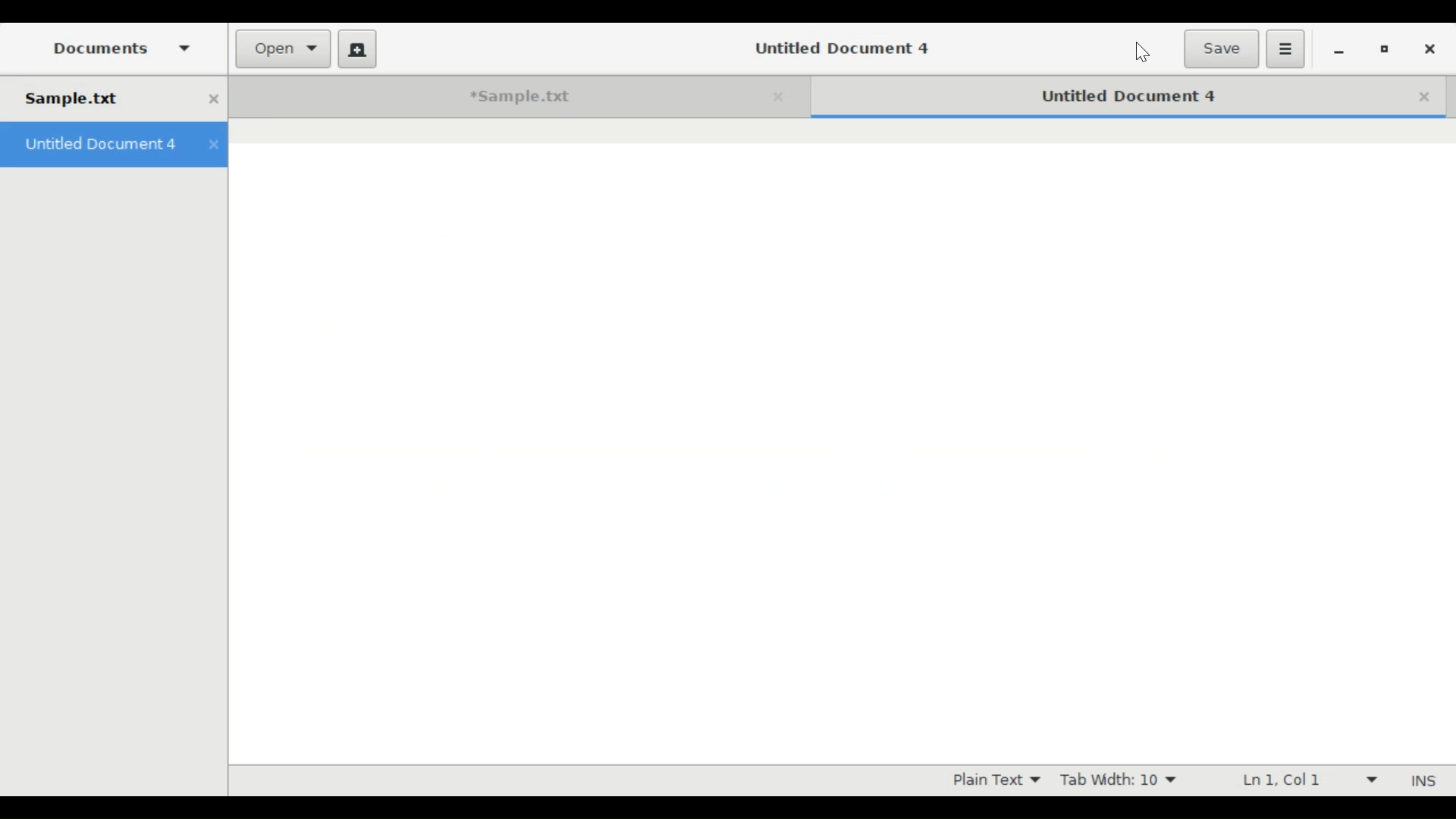 This screenshot has height=819, width=1456. Describe the element at coordinates (498, 97) in the screenshot. I see `*Sample.txt tab` at that location.